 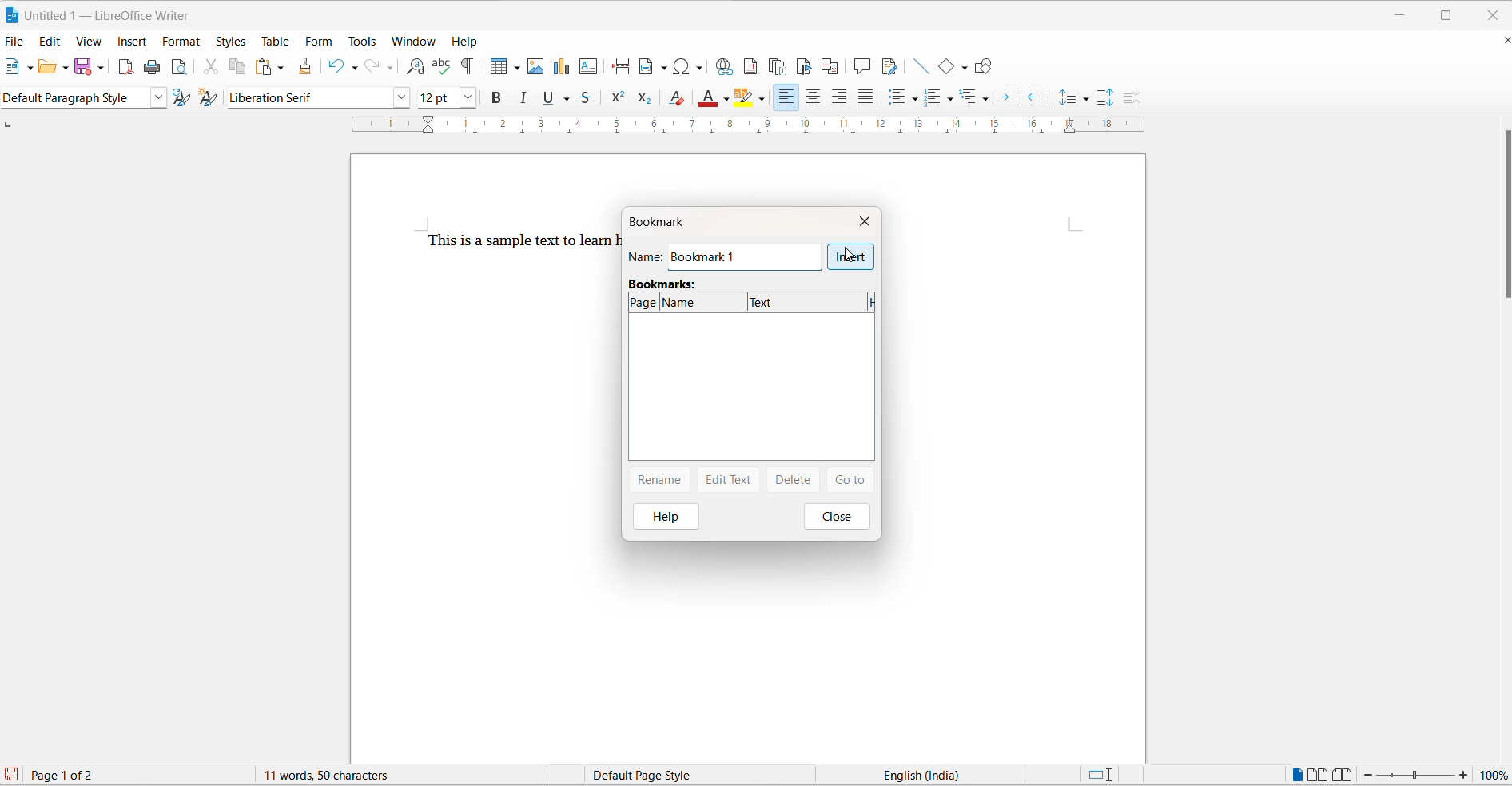 What do you see at coordinates (1318, 774) in the screenshot?
I see `multipage view` at bounding box center [1318, 774].